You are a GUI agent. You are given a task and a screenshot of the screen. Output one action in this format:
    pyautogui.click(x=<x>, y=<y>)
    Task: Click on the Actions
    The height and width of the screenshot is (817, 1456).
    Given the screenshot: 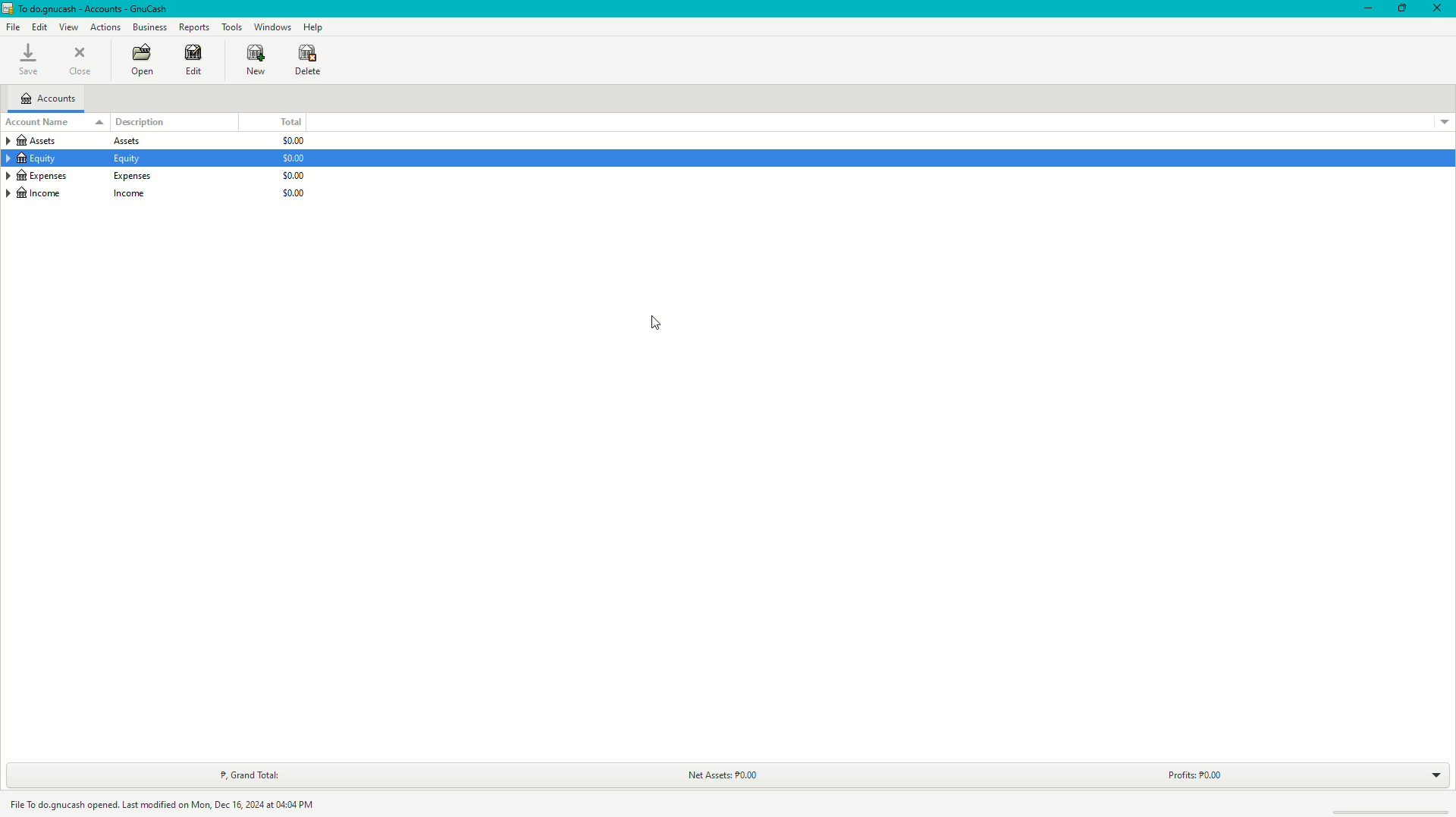 What is the action you would take?
    pyautogui.click(x=105, y=27)
    